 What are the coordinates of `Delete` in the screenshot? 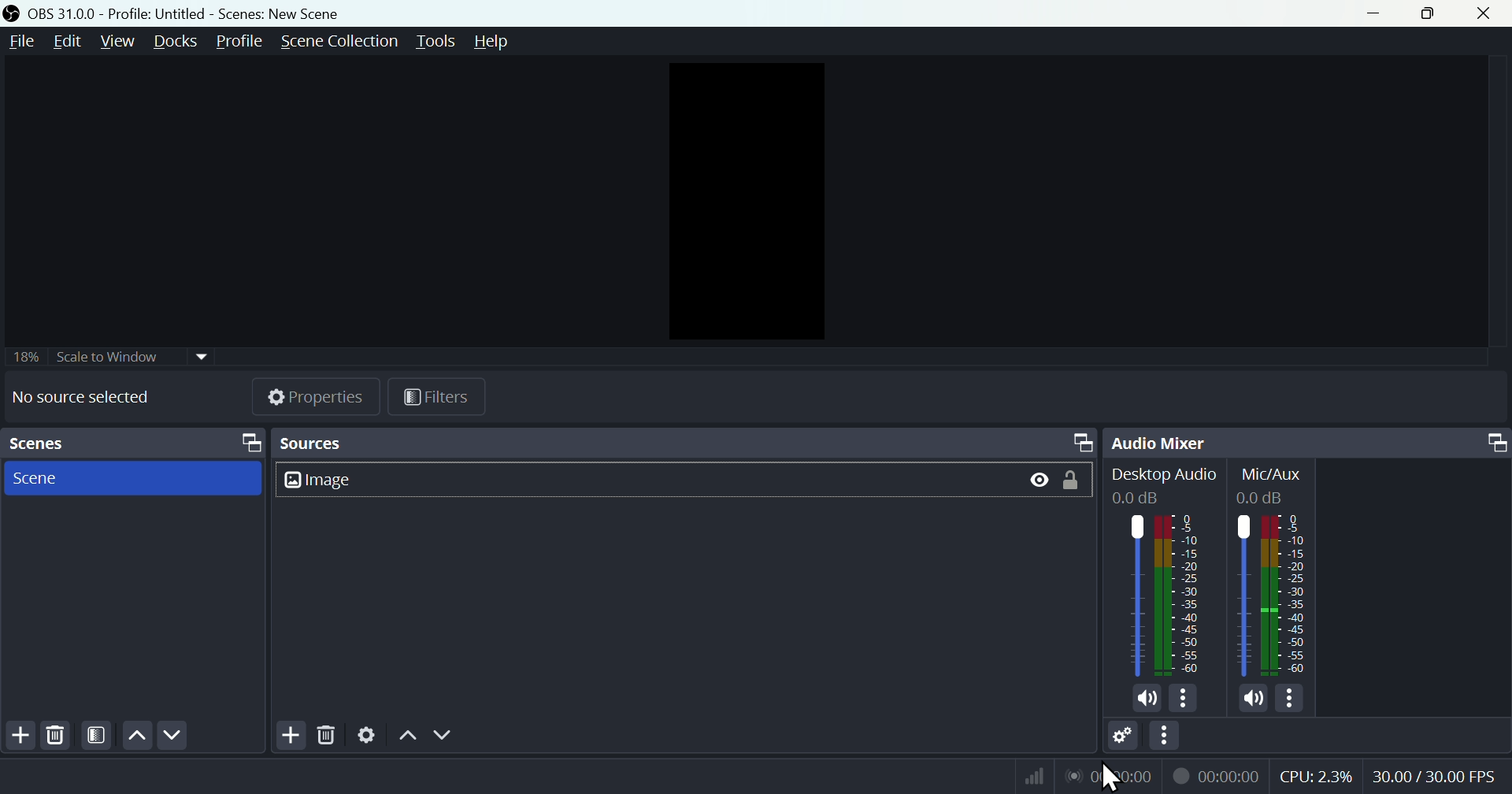 It's located at (329, 735).